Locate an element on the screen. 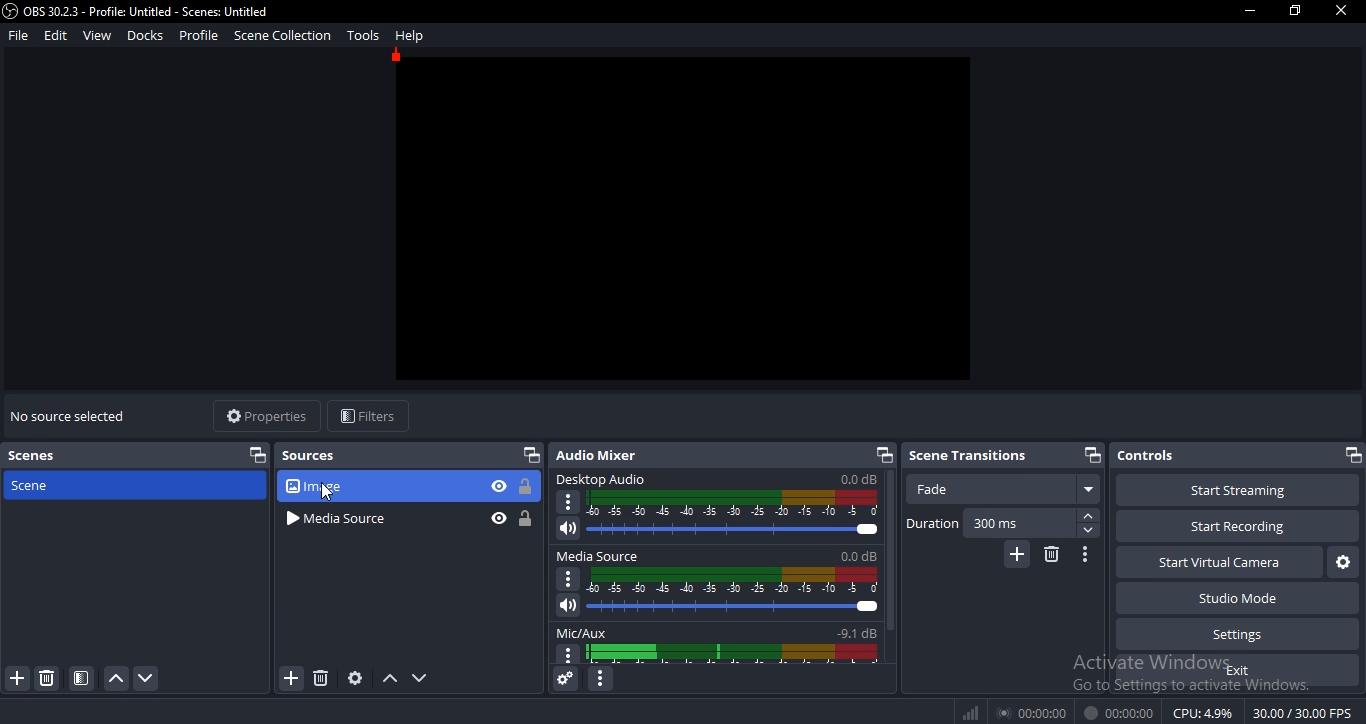  move down is located at coordinates (418, 677).